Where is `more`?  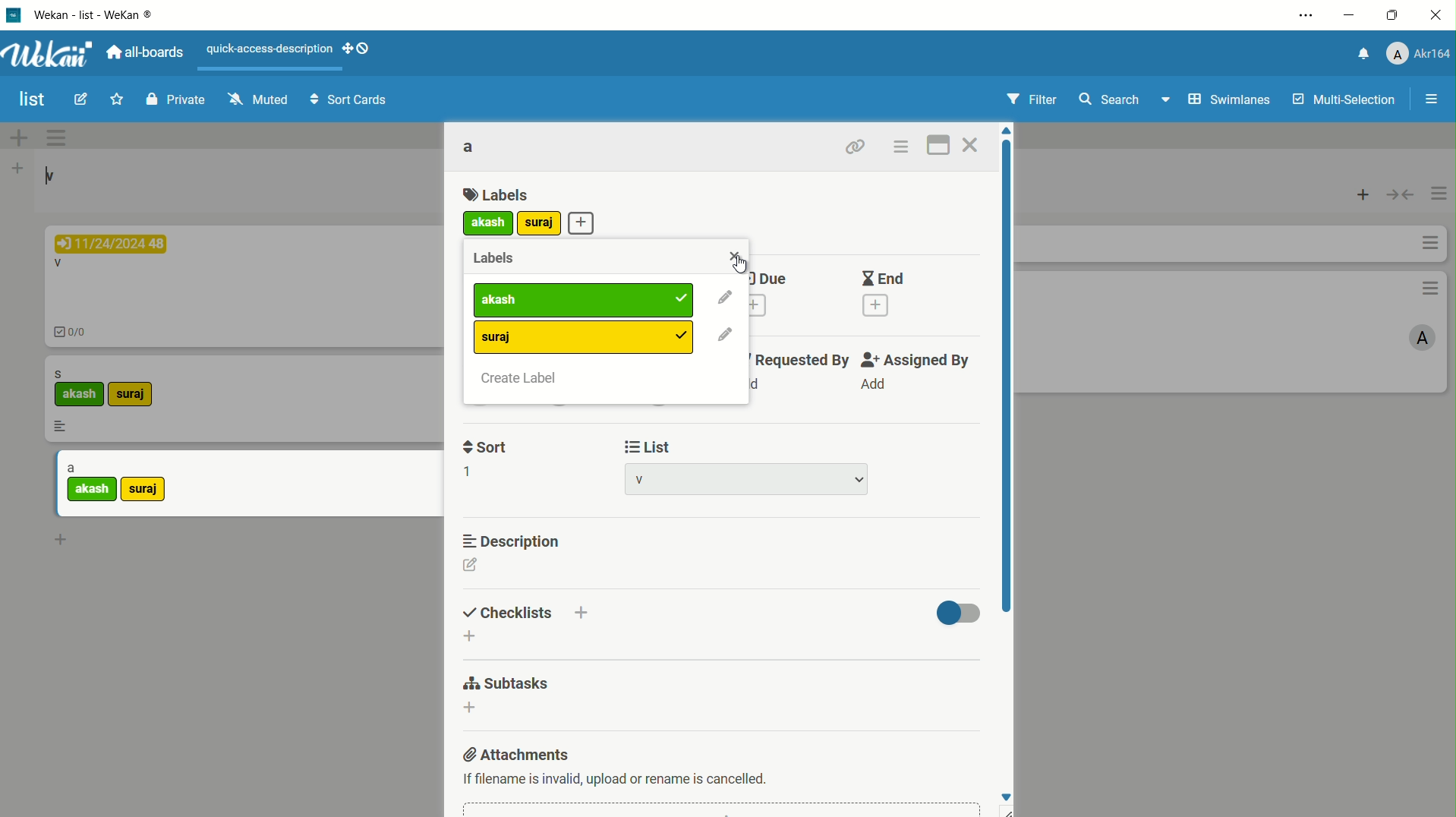 more is located at coordinates (1428, 243).